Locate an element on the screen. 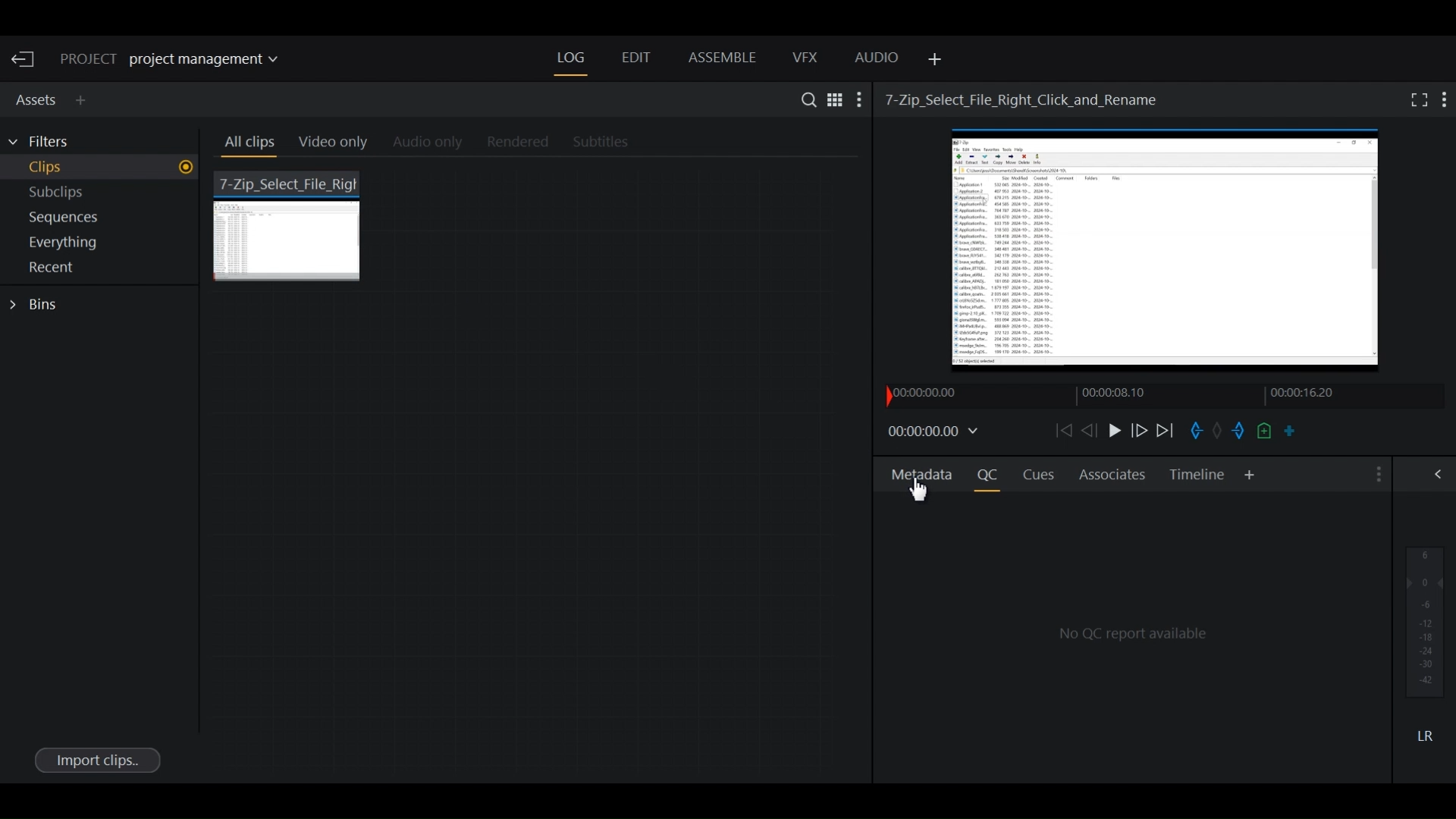 Image resolution: width=1456 pixels, height=819 pixels. Filters is located at coordinates (47, 142).